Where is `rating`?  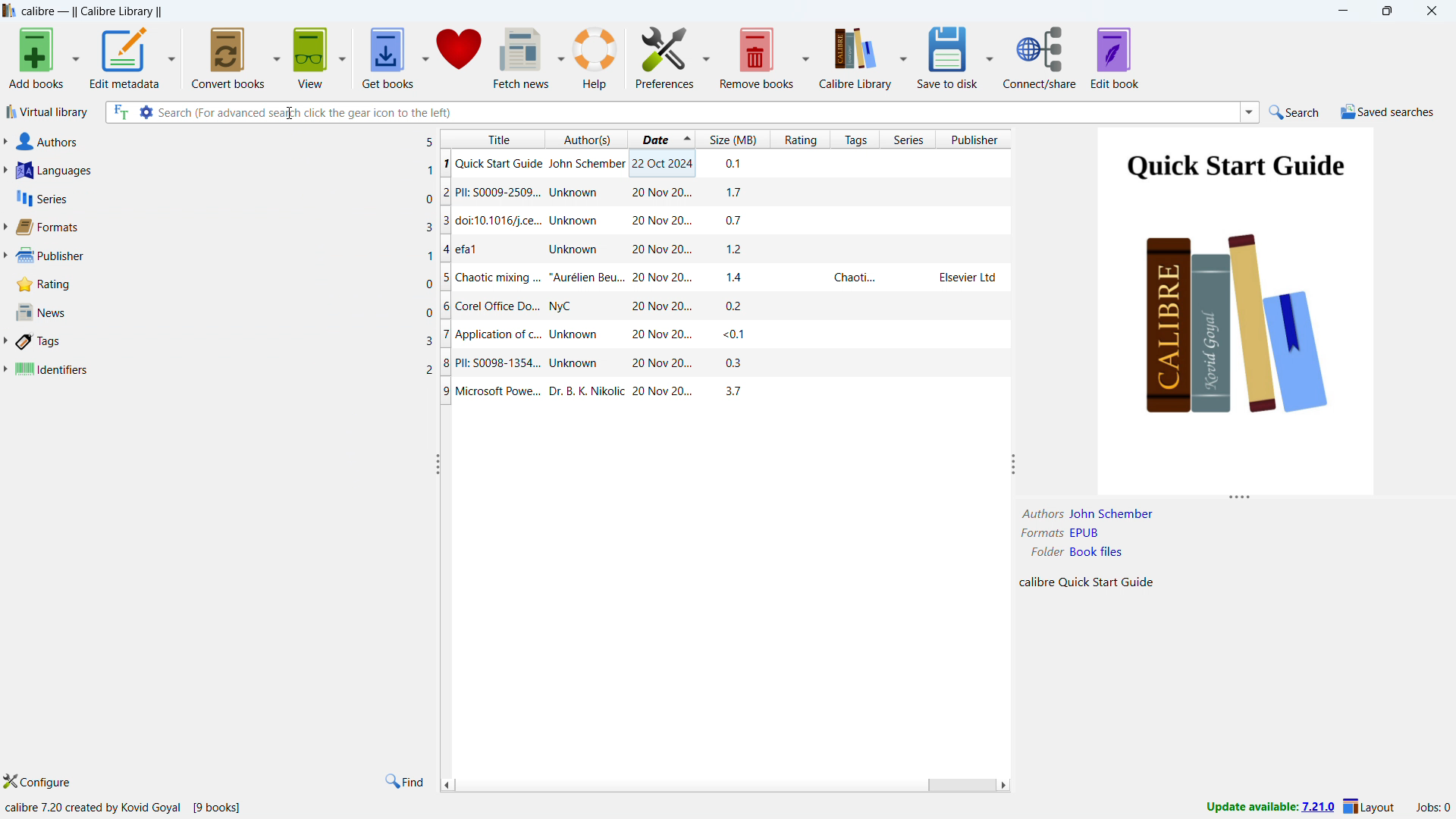 rating is located at coordinates (224, 284).